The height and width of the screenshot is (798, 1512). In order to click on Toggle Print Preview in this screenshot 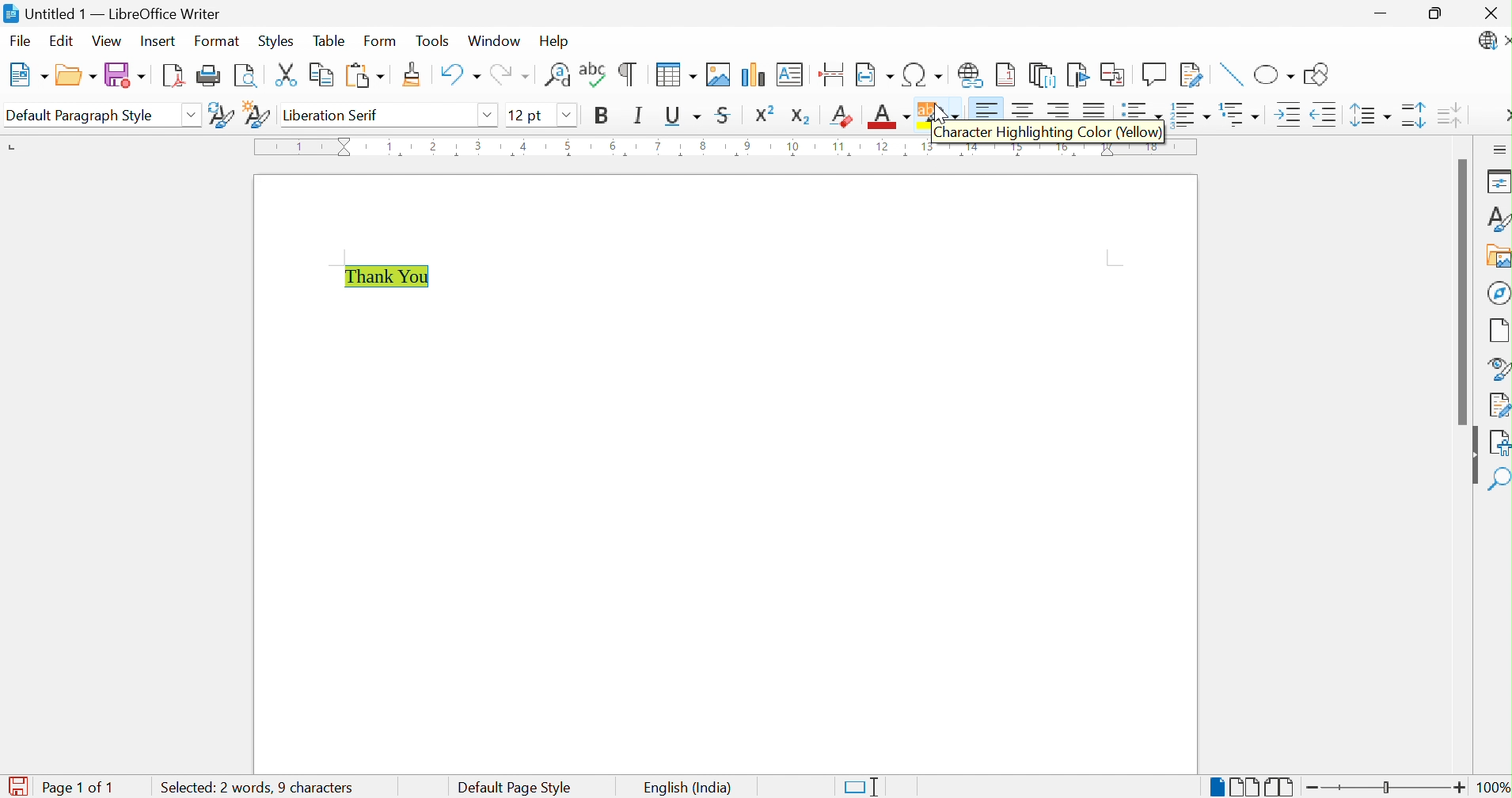, I will do `click(245, 76)`.